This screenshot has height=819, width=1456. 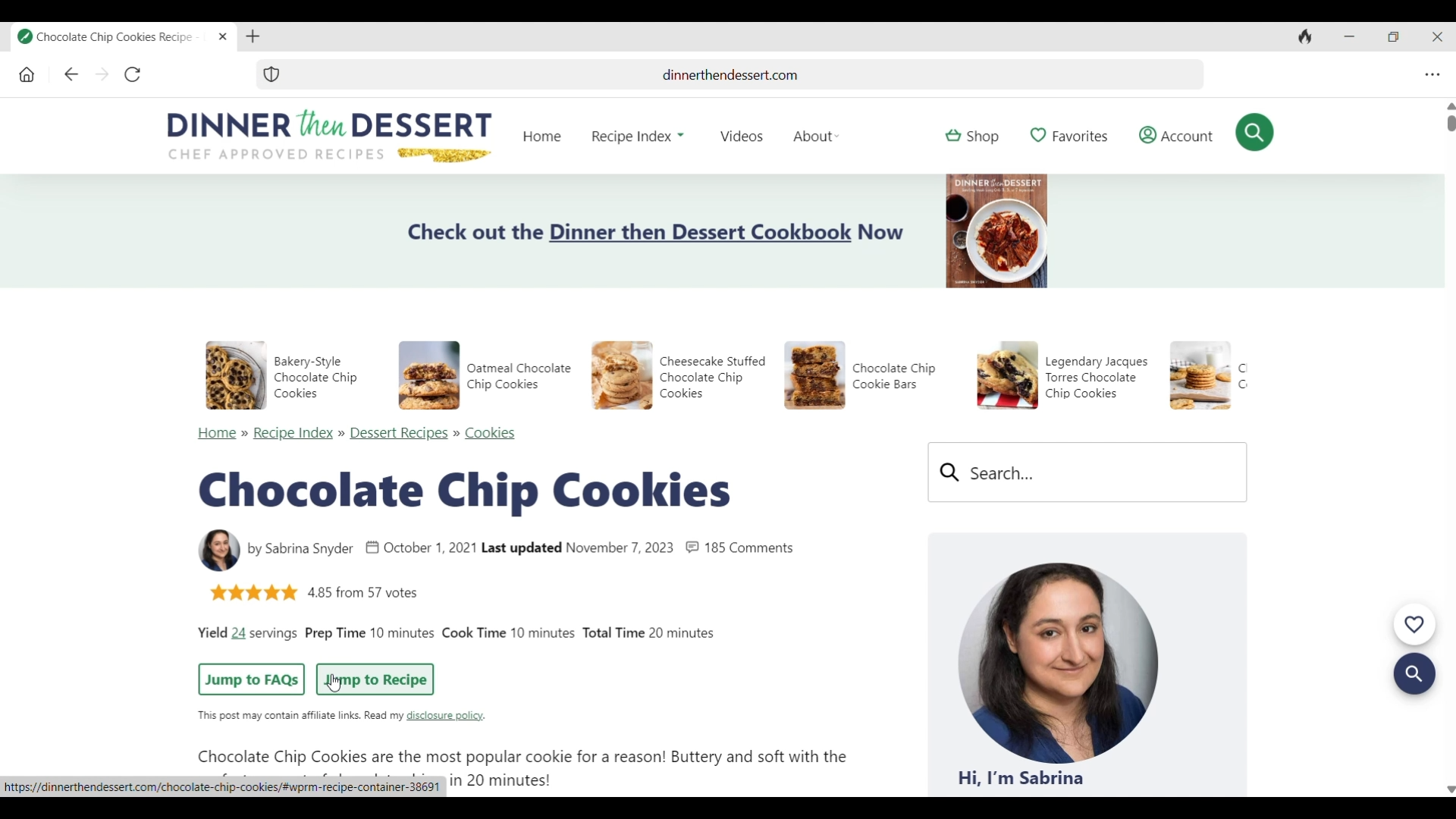 I want to click on Go forward, so click(x=102, y=75).